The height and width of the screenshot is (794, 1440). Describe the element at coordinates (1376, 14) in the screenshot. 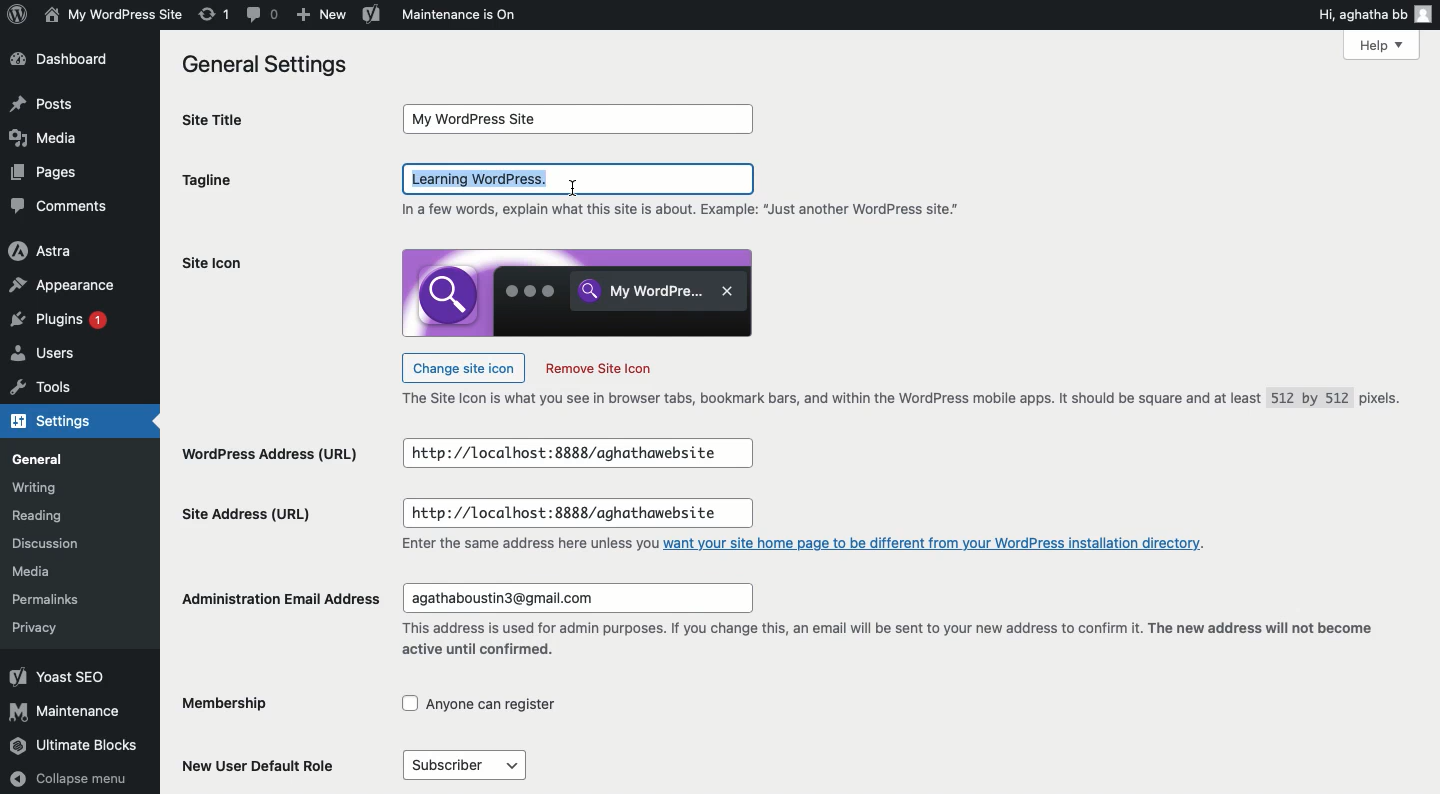

I see `Hi user` at that location.